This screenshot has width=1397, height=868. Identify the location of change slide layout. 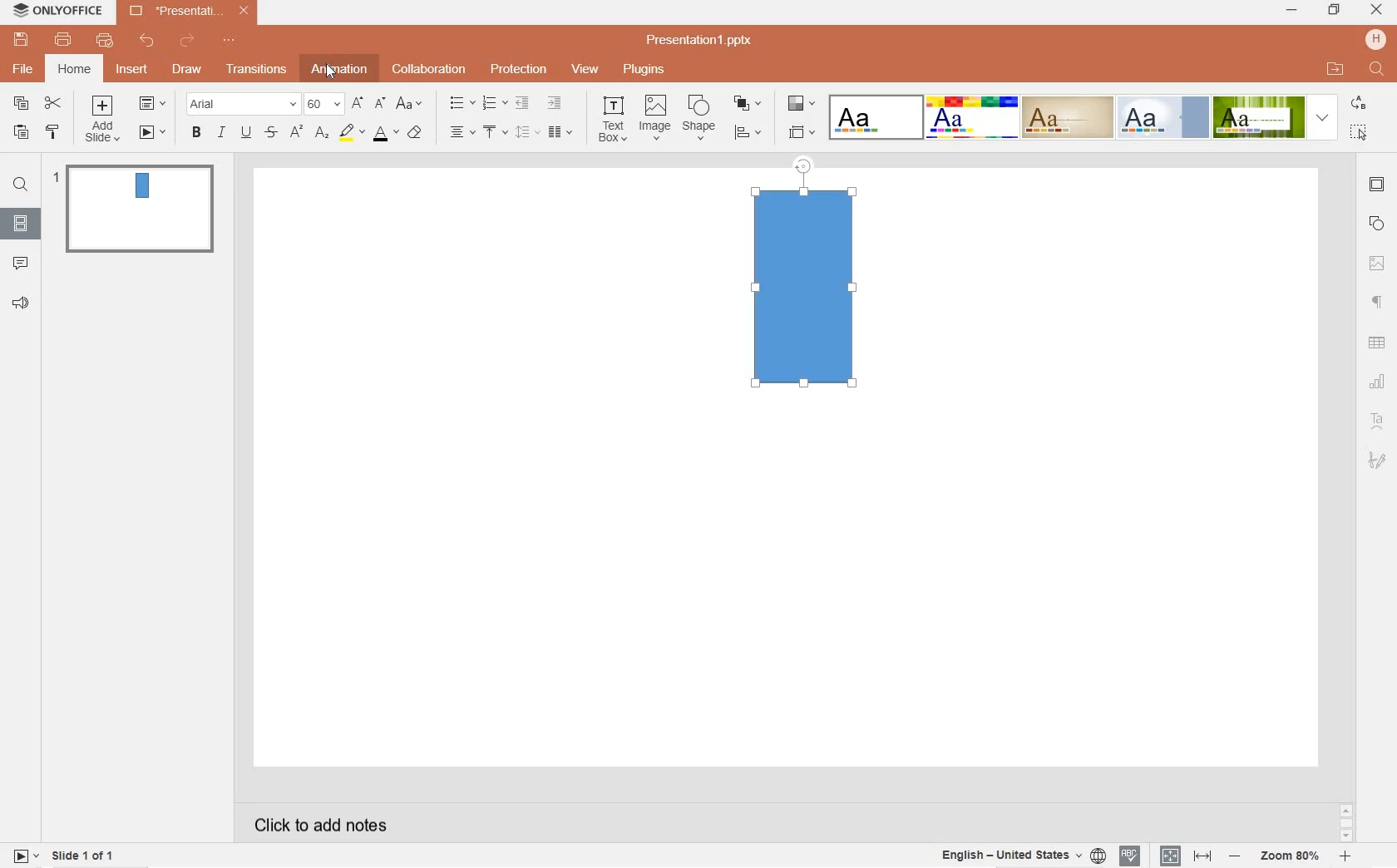
(153, 105).